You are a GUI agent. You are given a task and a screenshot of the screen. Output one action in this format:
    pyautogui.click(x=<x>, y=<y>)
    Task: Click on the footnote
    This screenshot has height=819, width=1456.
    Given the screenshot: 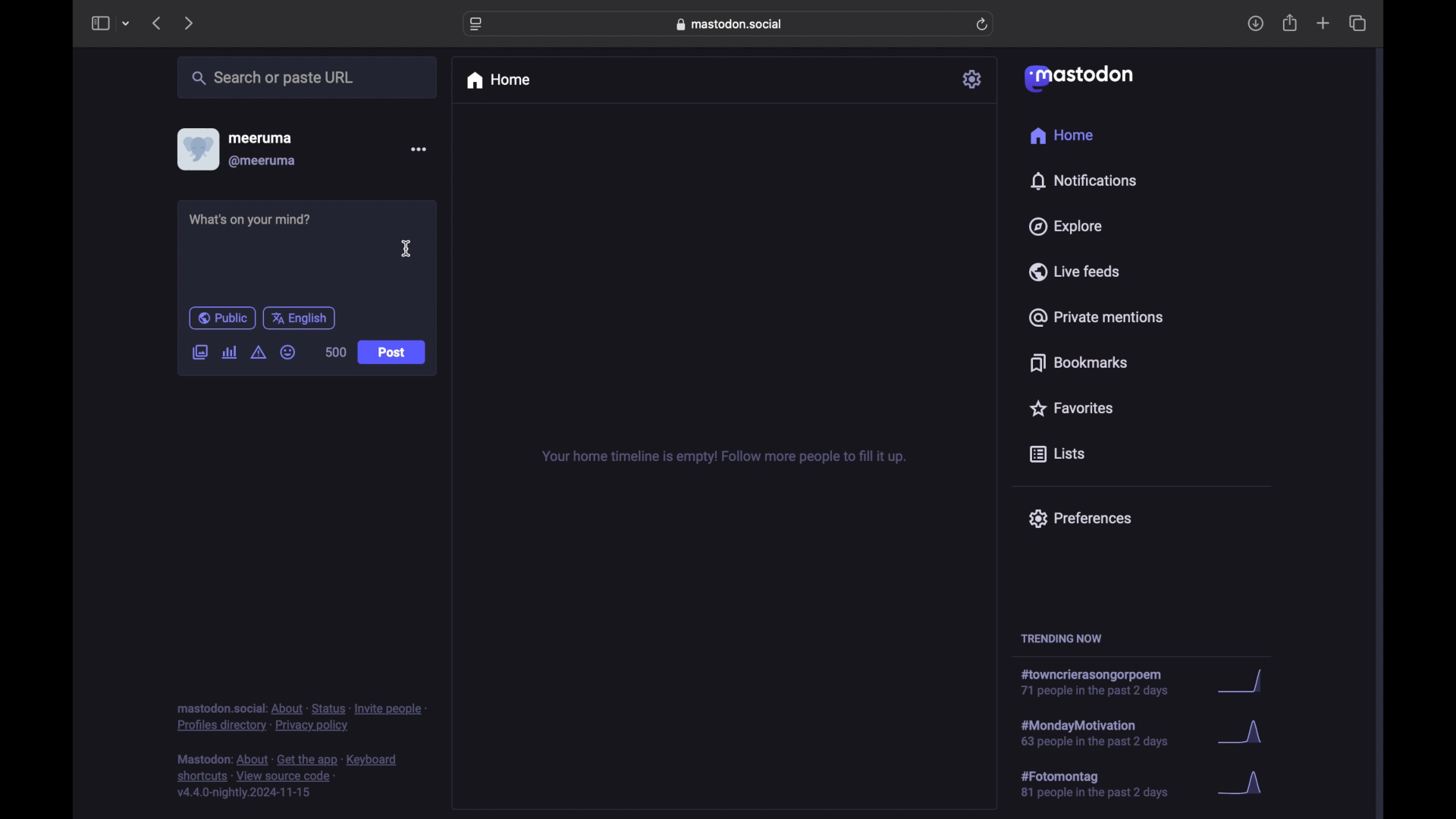 What is the action you would take?
    pyautogui.click(x=287, y=777)
    